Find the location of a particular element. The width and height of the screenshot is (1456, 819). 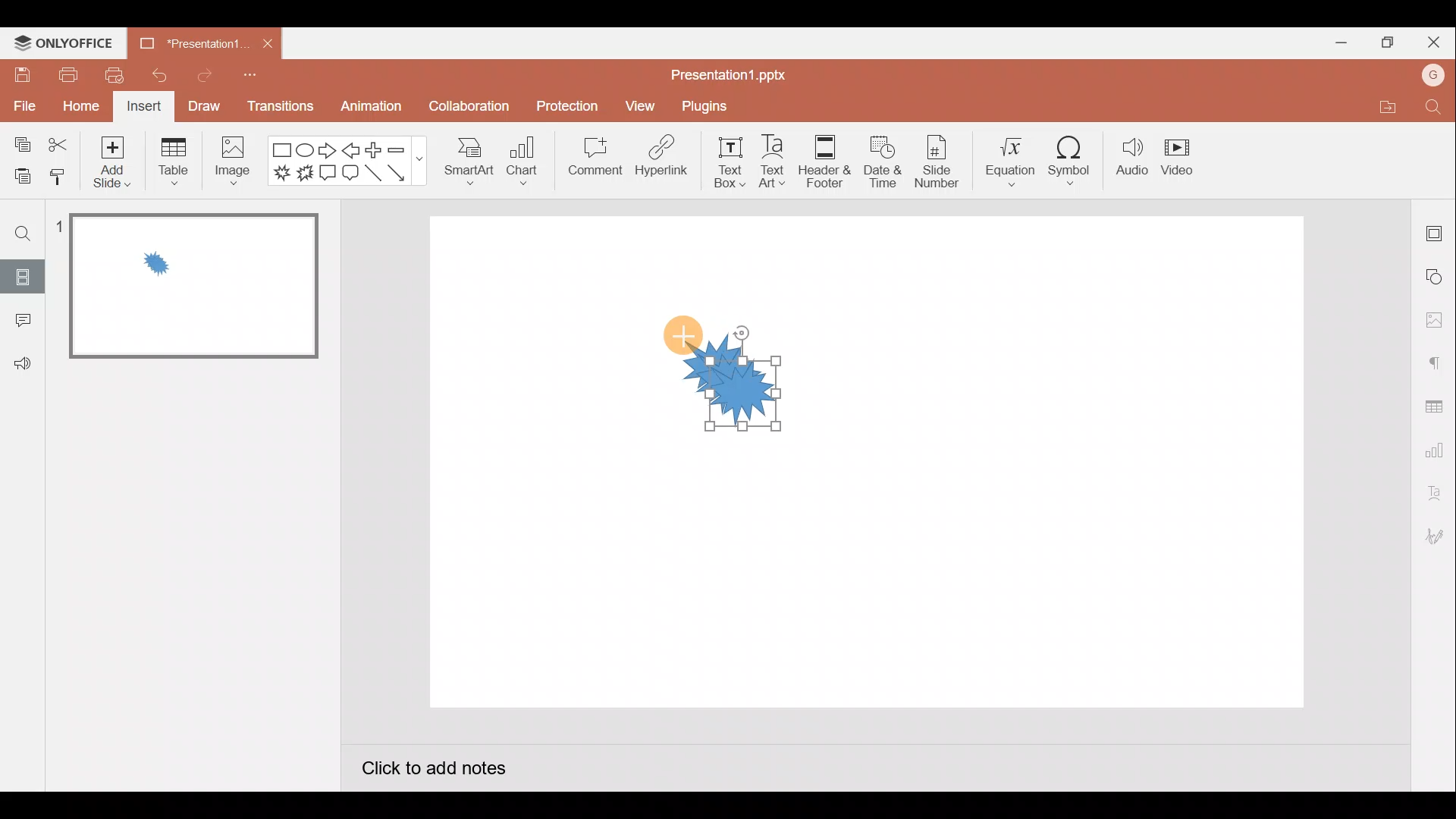

Hyperlink is located at coordinates (660, 159).